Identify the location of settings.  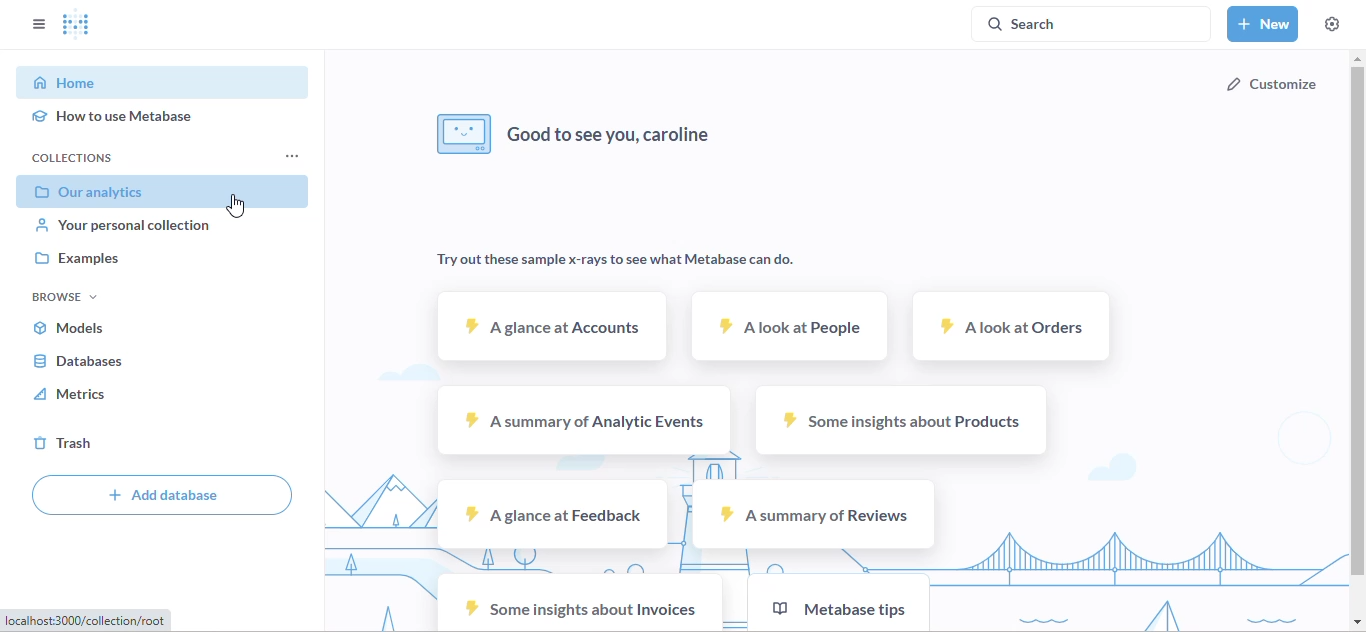
(1332, 24).